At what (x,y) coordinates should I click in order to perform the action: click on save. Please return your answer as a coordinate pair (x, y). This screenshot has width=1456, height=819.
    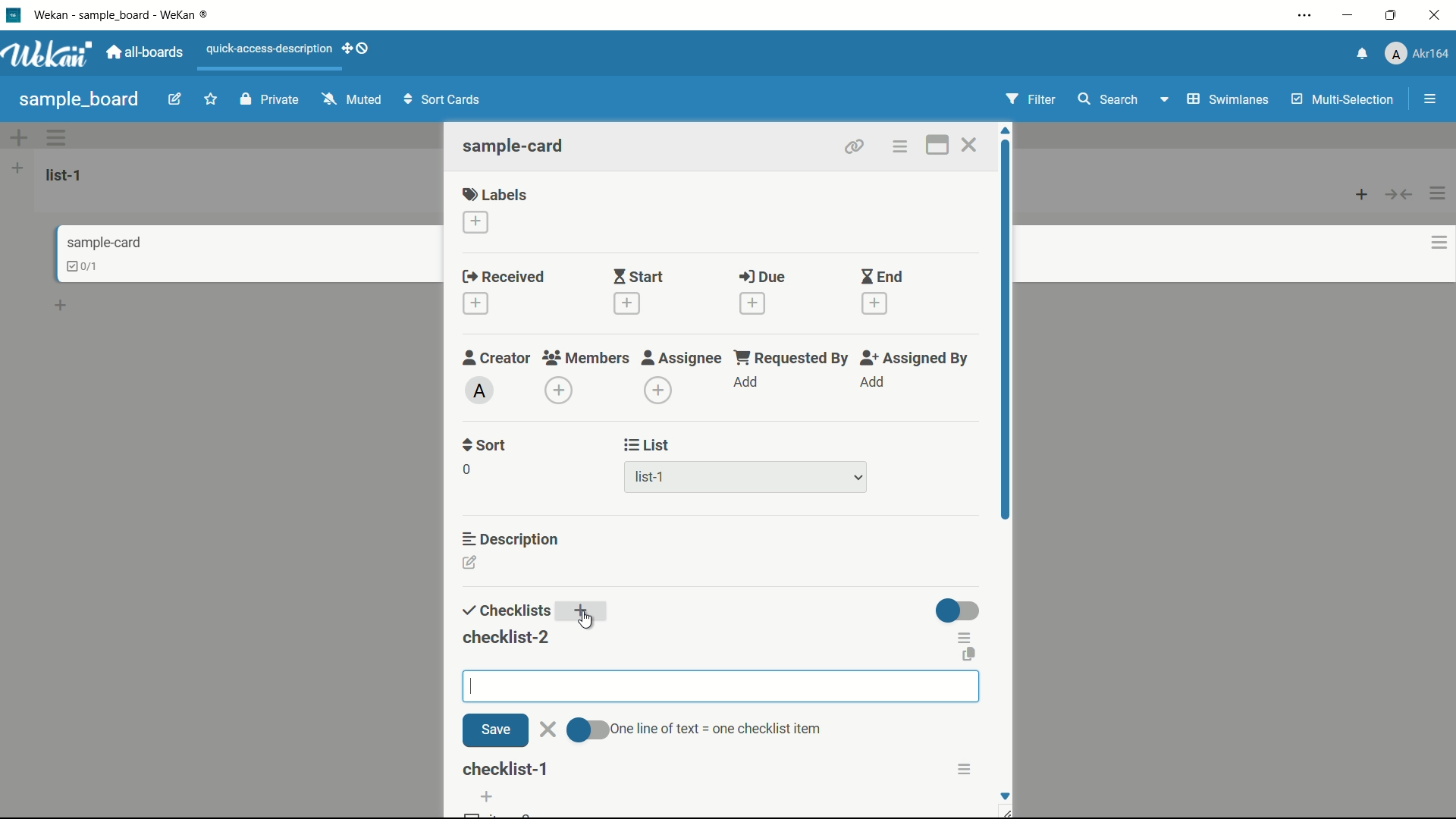
    Looking at the image, I should click on (495, 730).